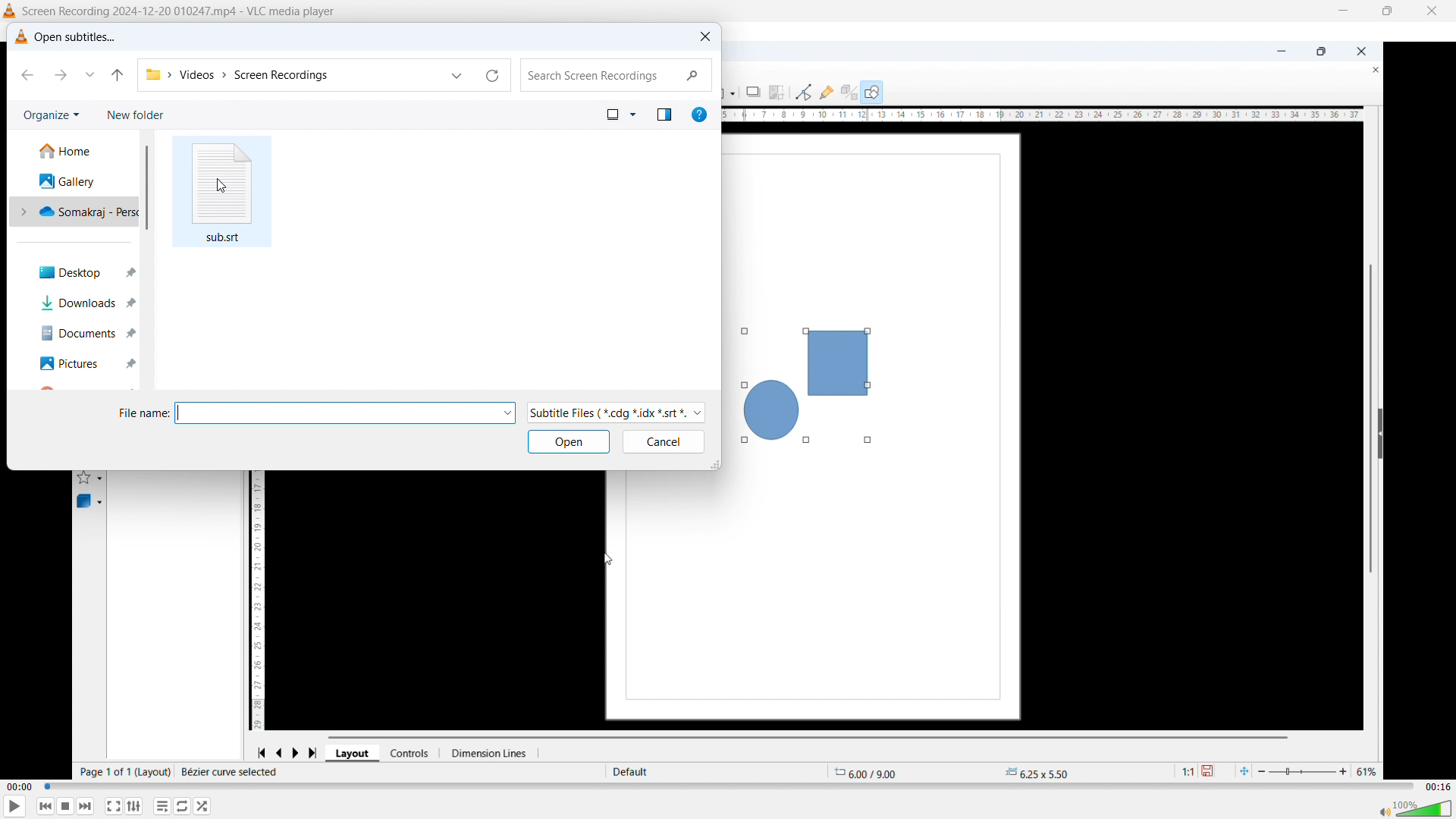 The width and height of the screenshot is (1456, 819). Describe the element at coordinates (1361, 50) in the screenshot. I see `close` at that location.